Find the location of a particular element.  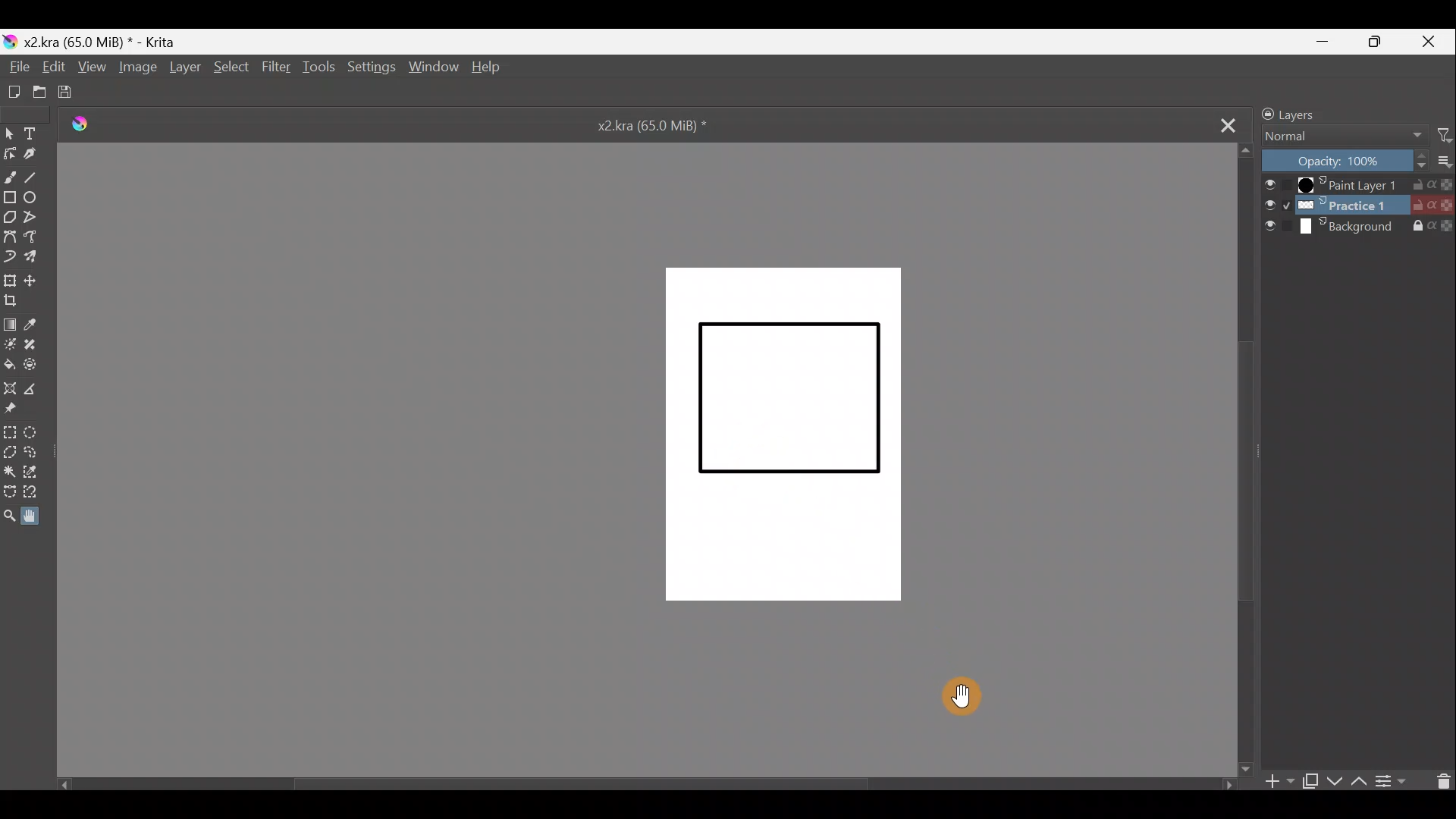

Calligraphy is located at coordinates (36, 155).